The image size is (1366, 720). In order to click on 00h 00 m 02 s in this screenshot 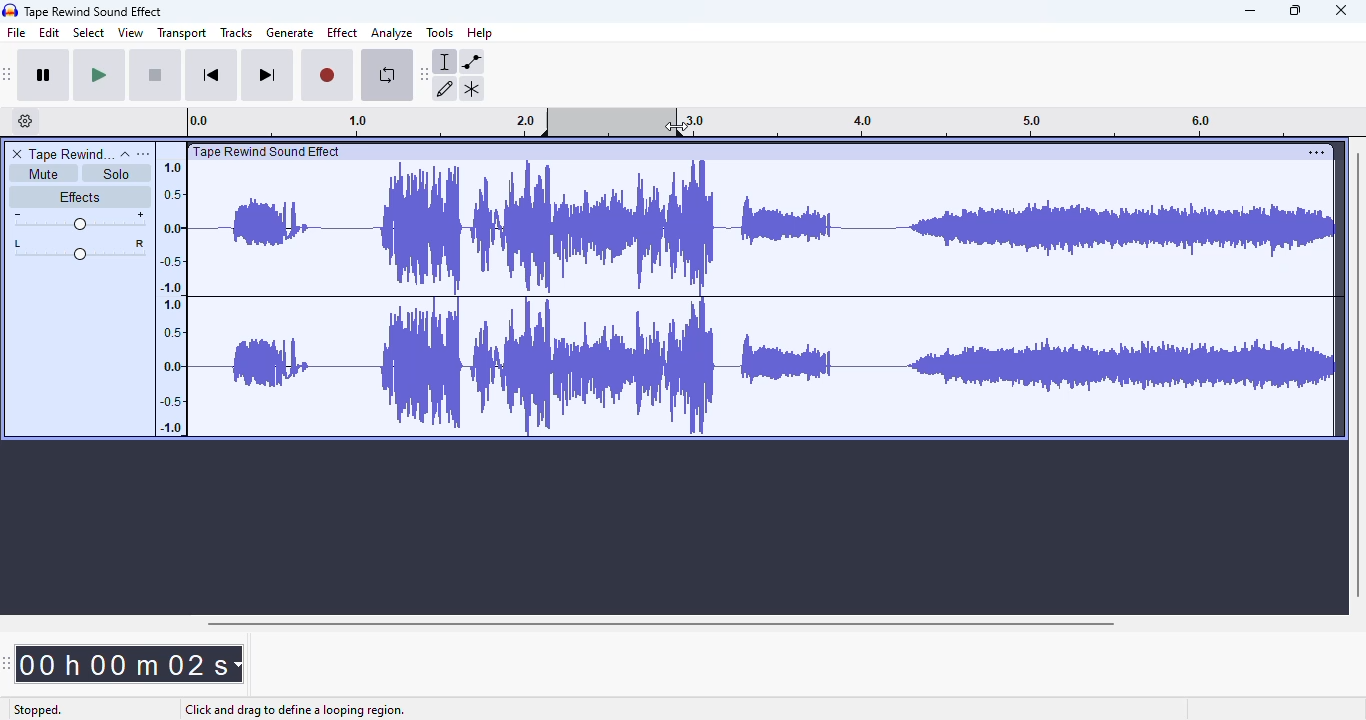, I will do `click(131, 658)`.